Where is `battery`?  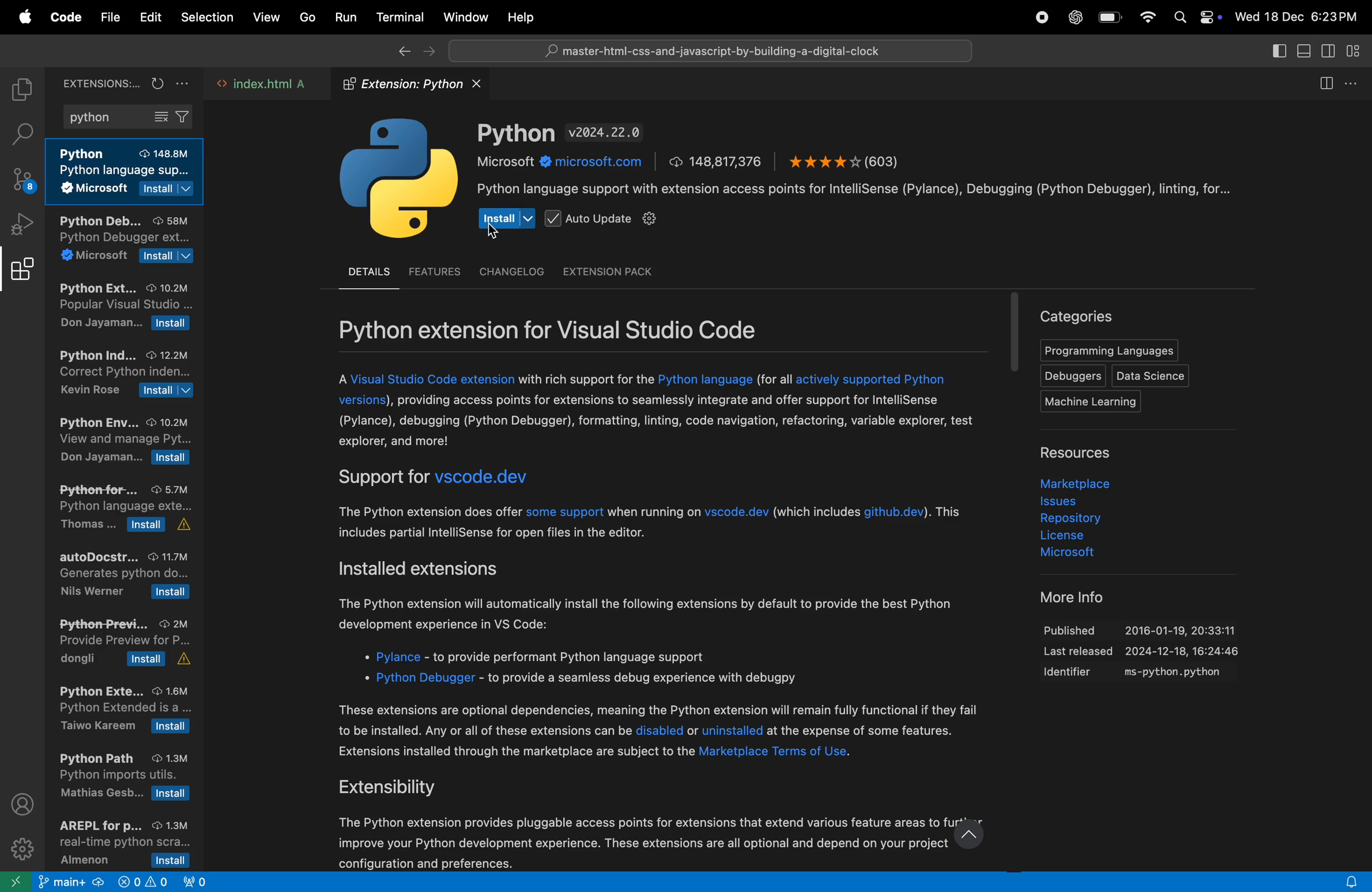 battery is located at coordinates (1110, 19).